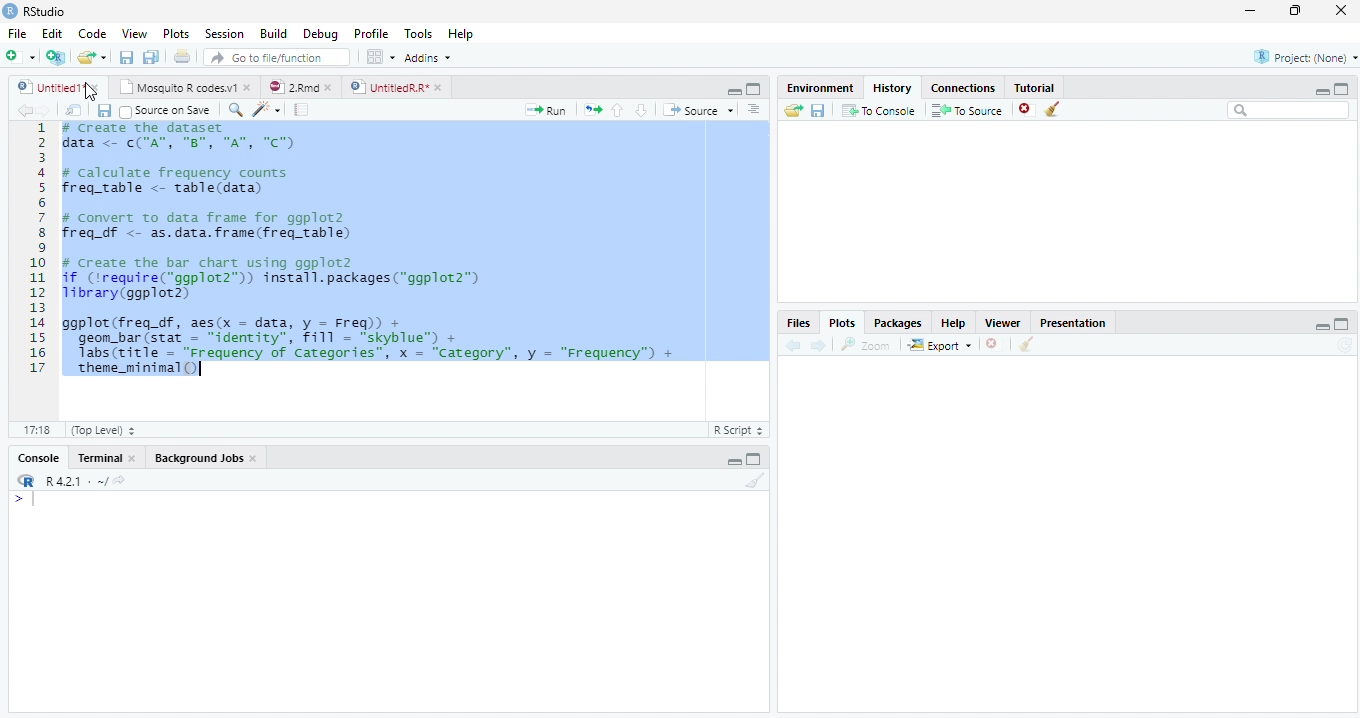 The height and width of the screenshot is (718, 1360). Describe the element at coordinates (961, 88) in the screenshot. I see `Connections` at that location.